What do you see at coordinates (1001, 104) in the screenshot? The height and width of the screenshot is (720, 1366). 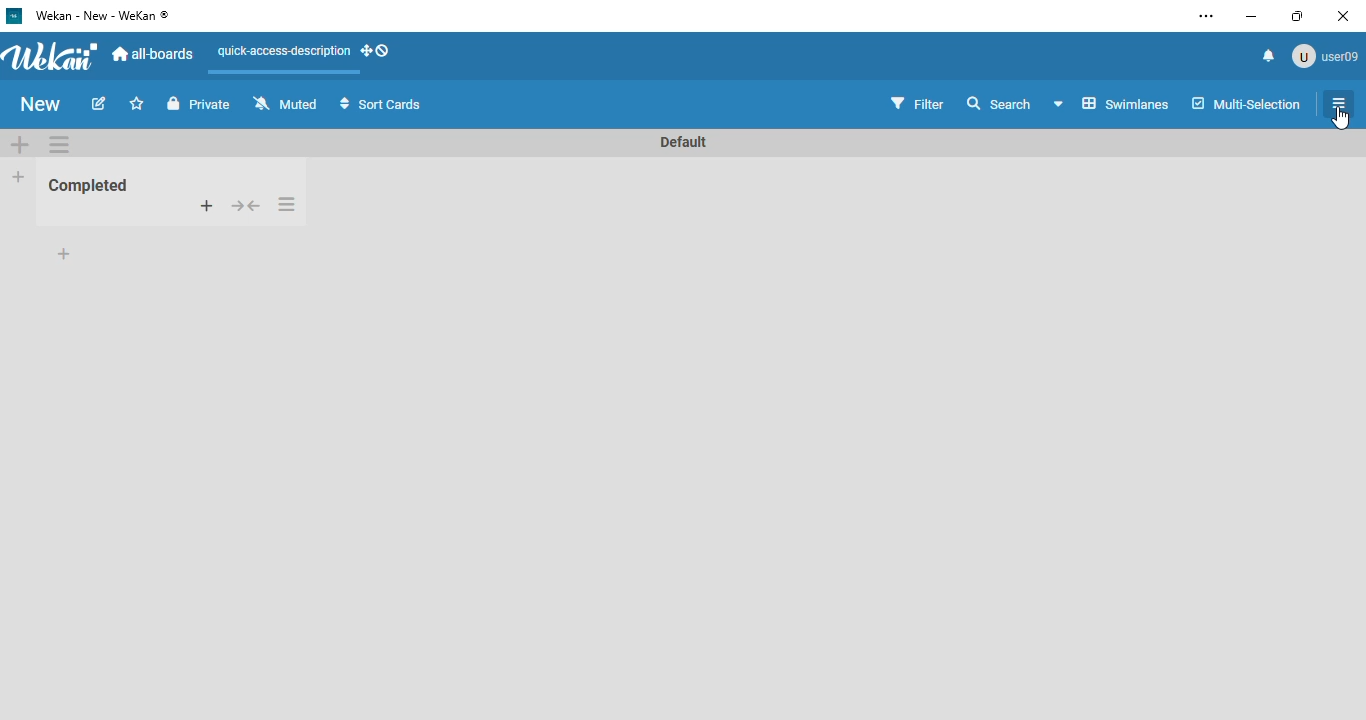 I see `search` at bounding box center [1001, 104].